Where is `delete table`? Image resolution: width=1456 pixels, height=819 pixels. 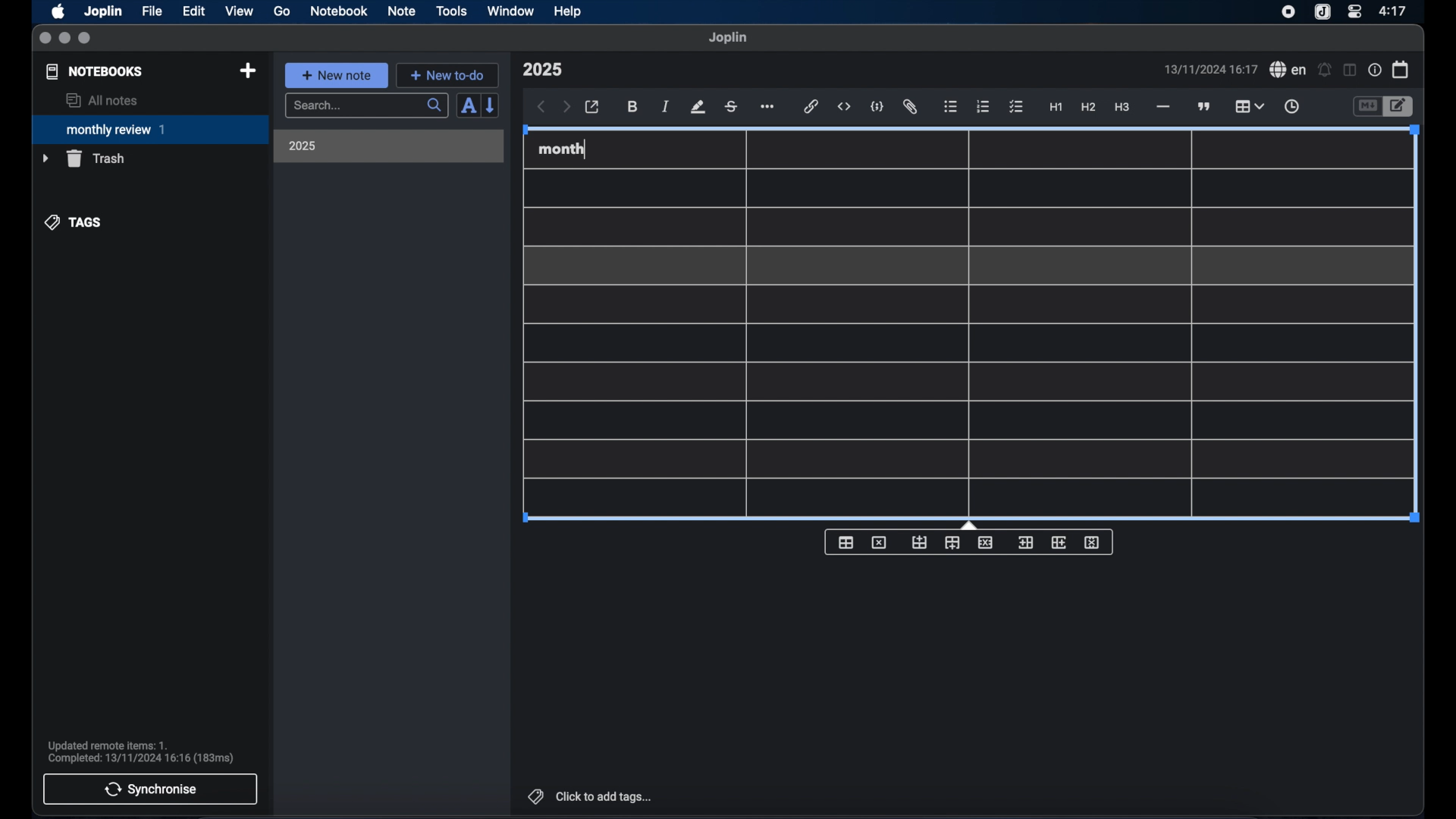
delete table is located at coordinates (879, 543).